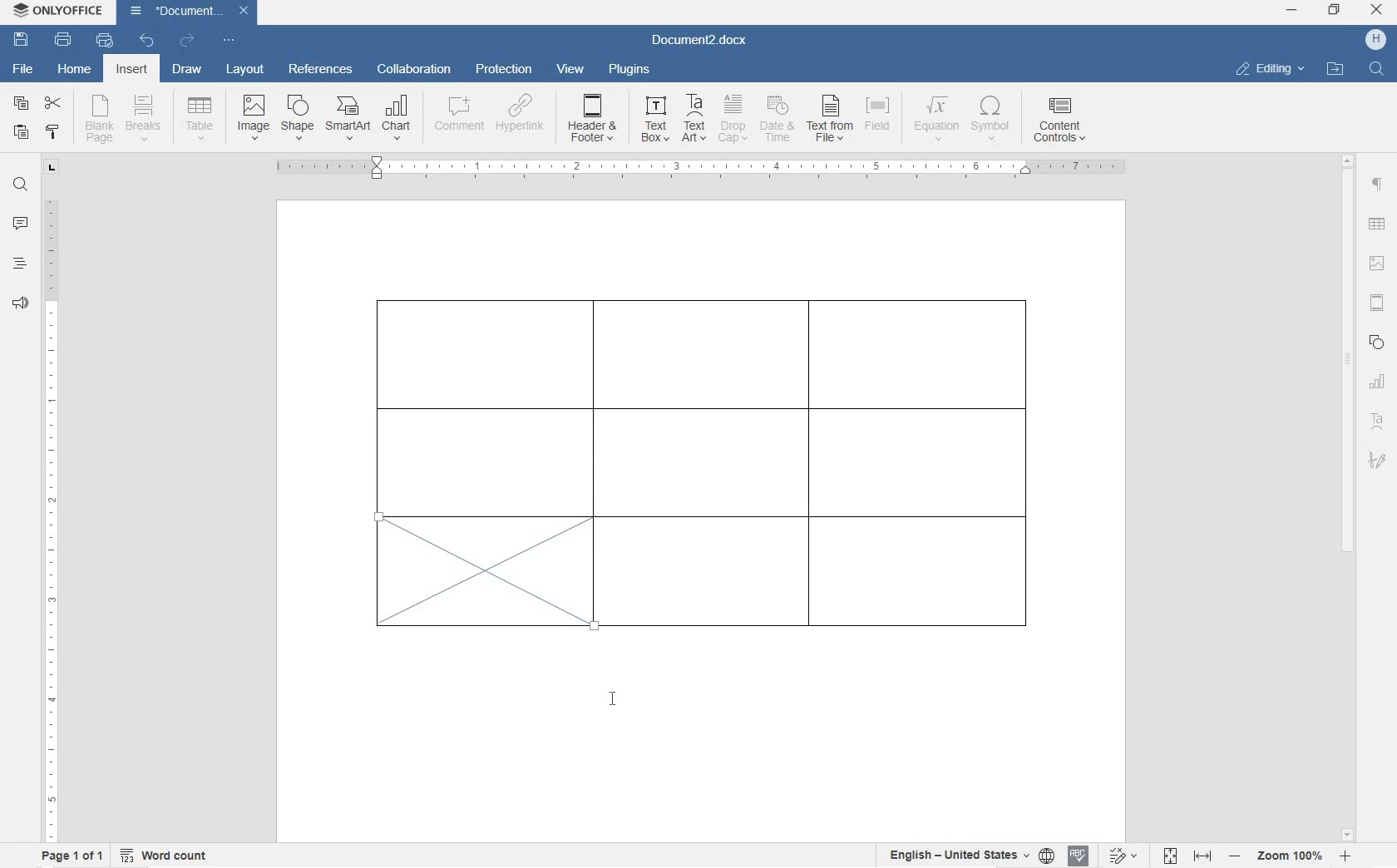 This screenshot has width=1397, height=868. What do you see at coordinates (131, 70) in the screenshot?
I see `insert` at bounding box center [131, 70].